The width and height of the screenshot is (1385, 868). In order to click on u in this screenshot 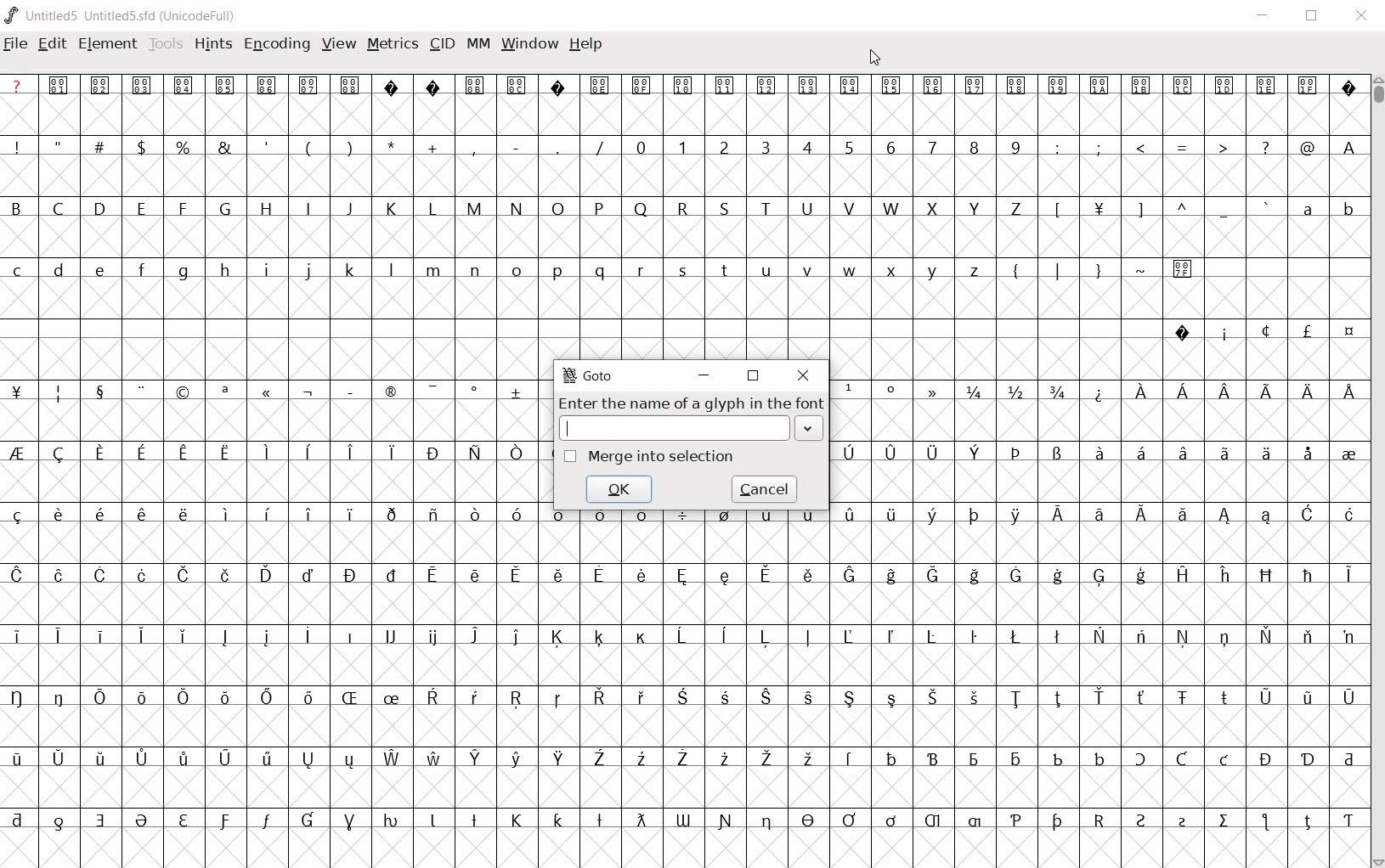, I will do `click(766, 270)`.